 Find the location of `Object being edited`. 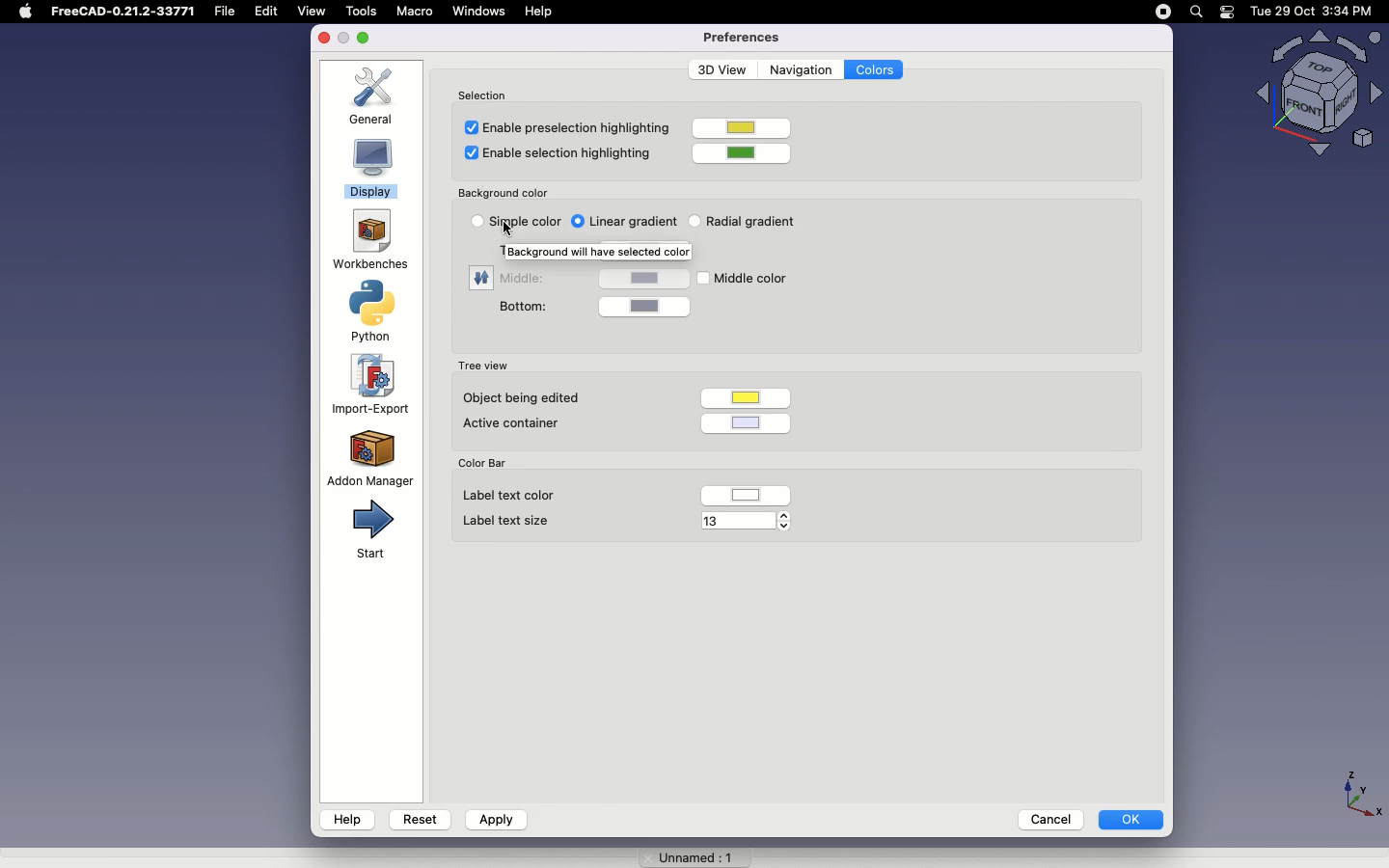

Object being edited is located at coordinates (518, 398).